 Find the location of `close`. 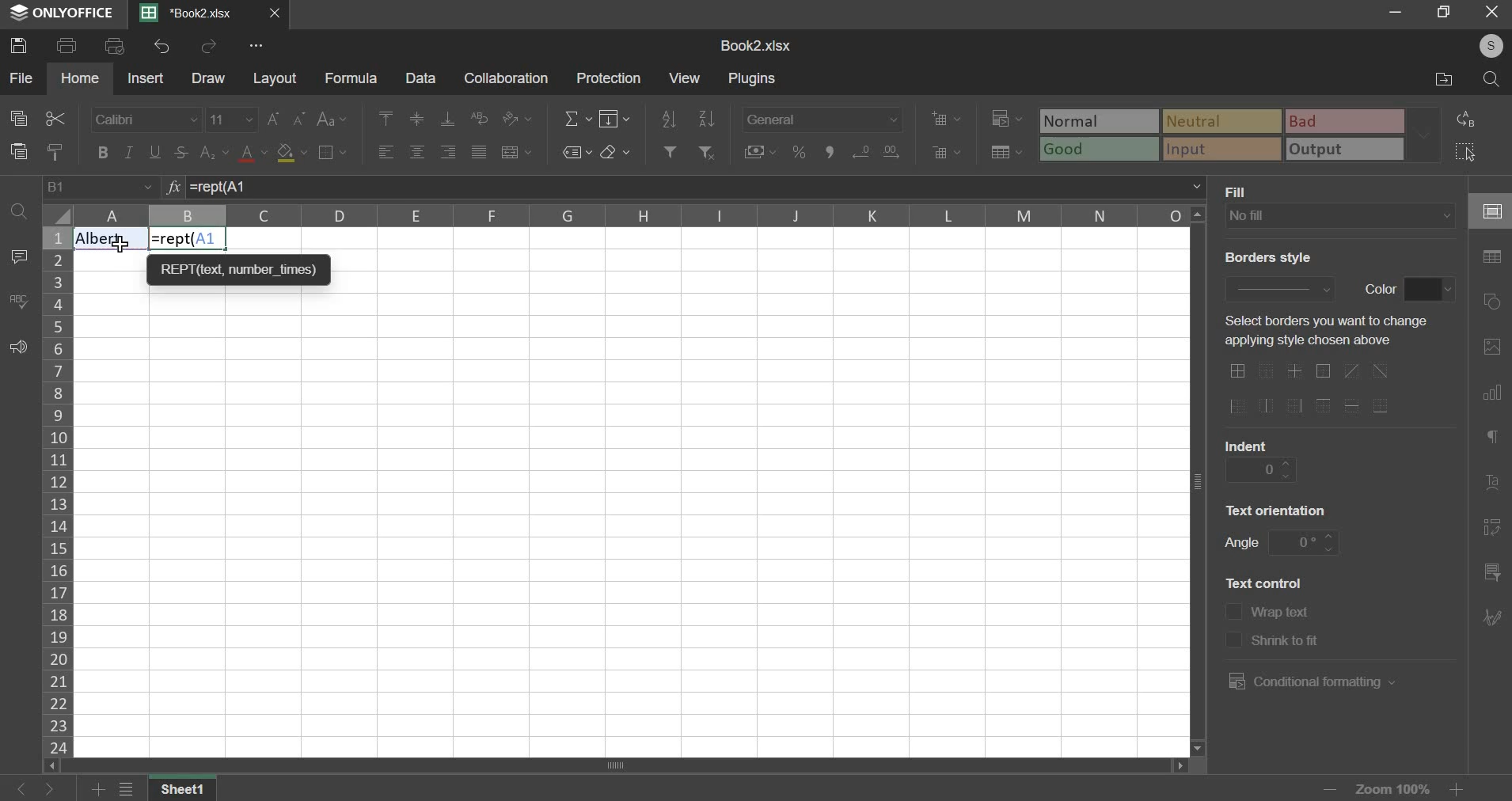

close is located at coordinates (277, 13).